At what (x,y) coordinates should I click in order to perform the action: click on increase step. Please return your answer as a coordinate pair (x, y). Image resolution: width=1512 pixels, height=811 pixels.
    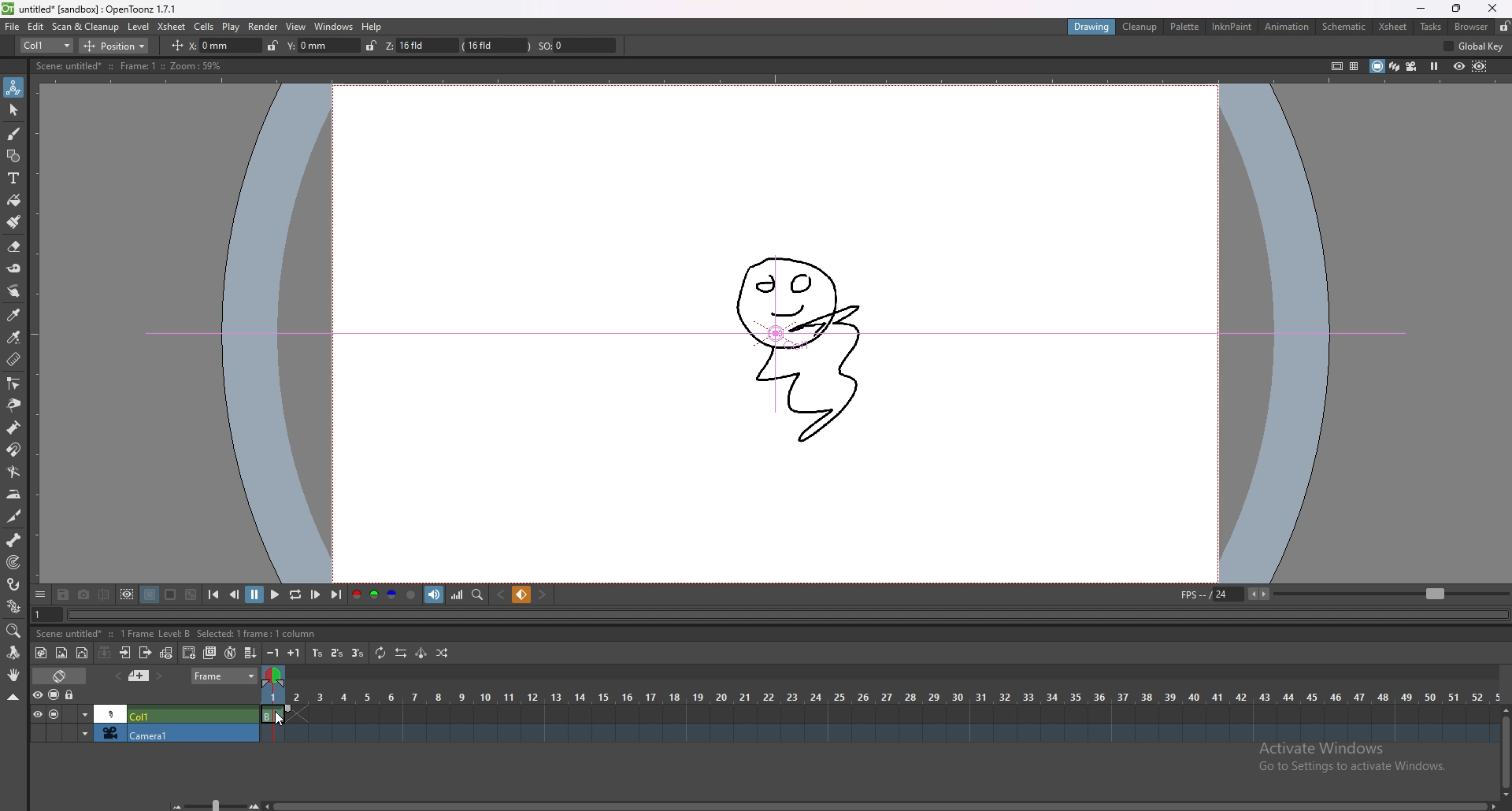
    Looking at the image, I should click on (296, 652).